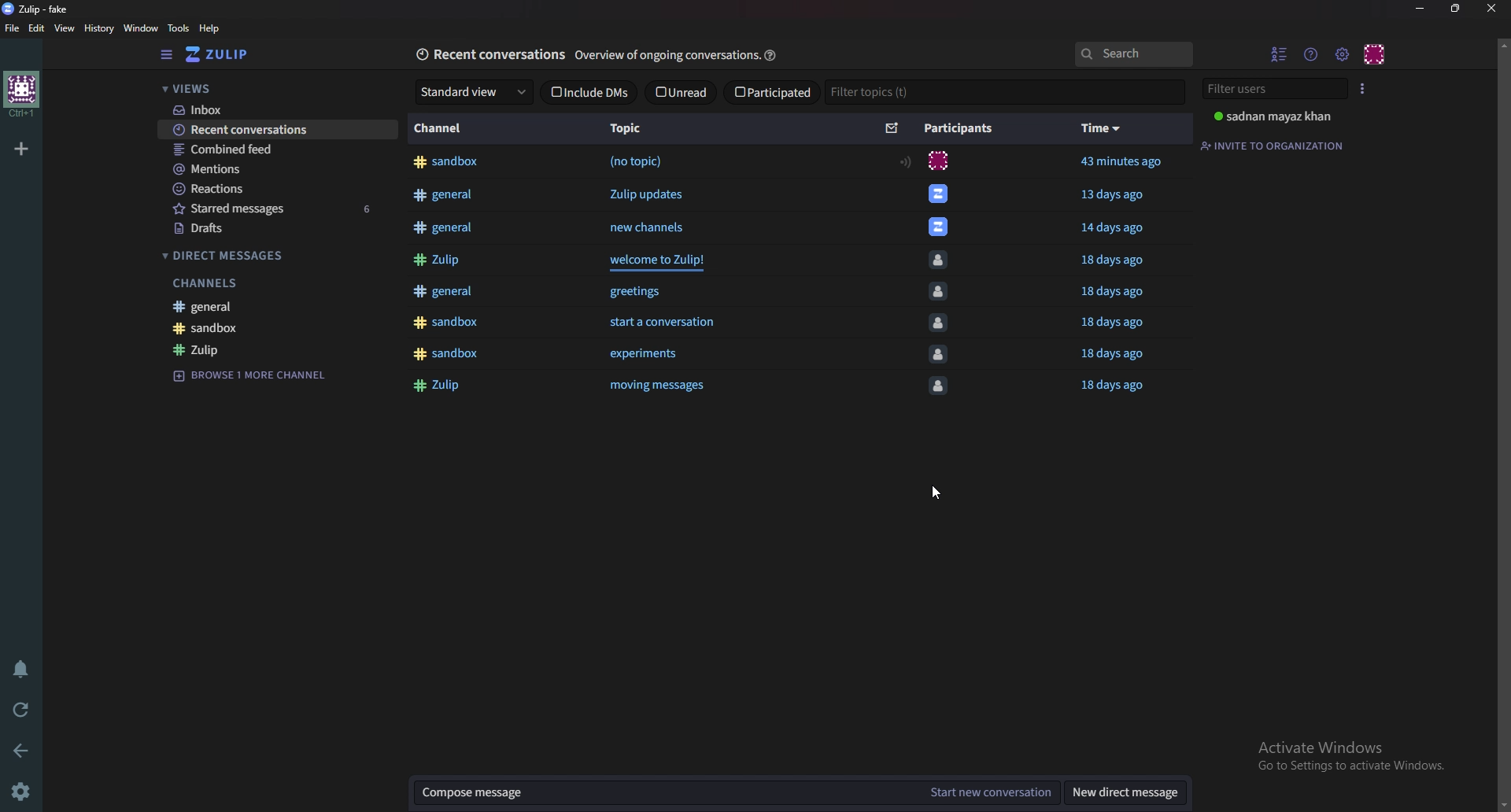 The width and height of the screenshot is (1511, 812). What do you see at coordinates (443, 193) in the screenshot?
I see `#general` at bounding box center [443, 193].